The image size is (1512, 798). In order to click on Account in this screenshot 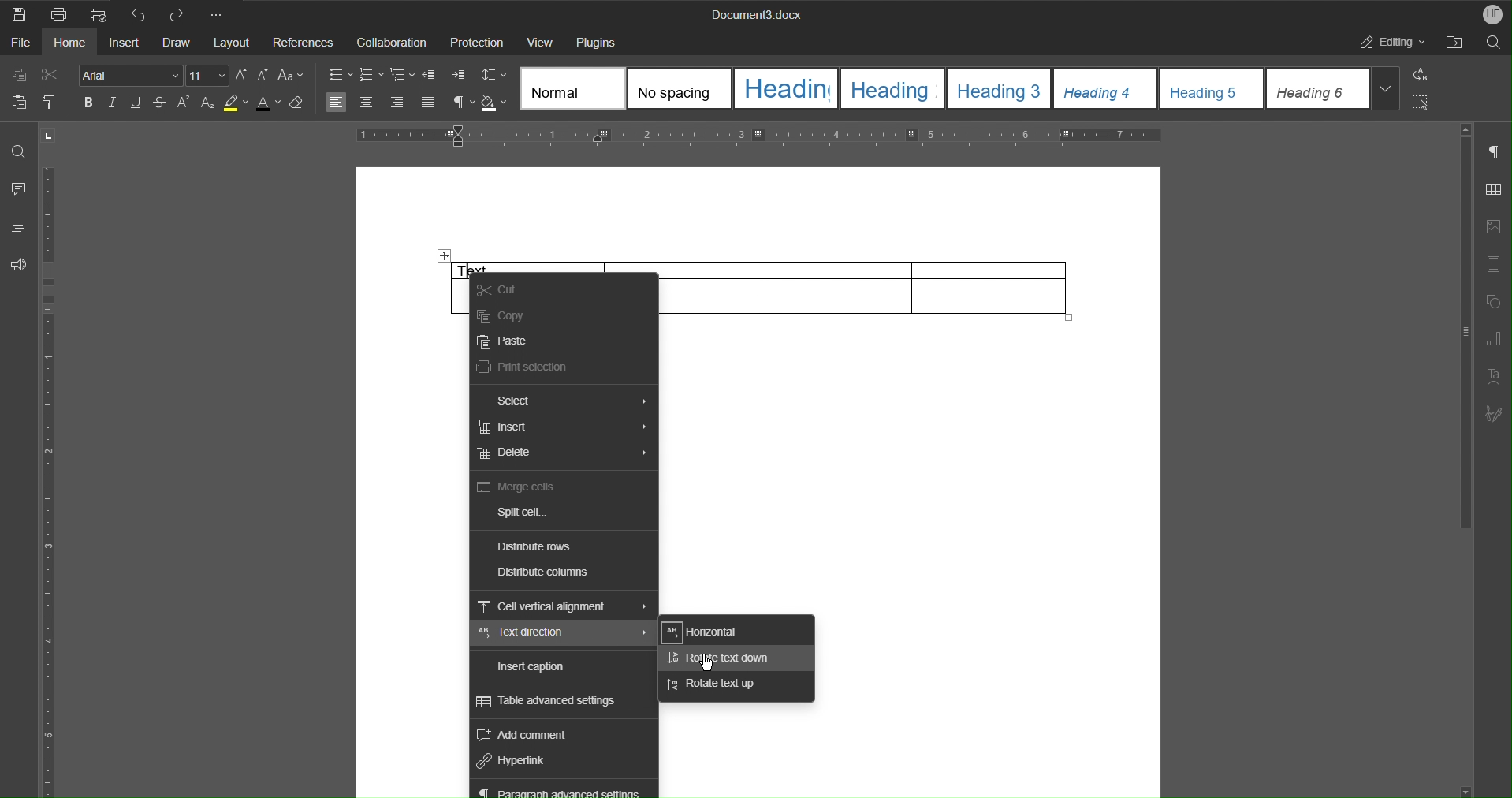, I will do `click(1489, 13)`.